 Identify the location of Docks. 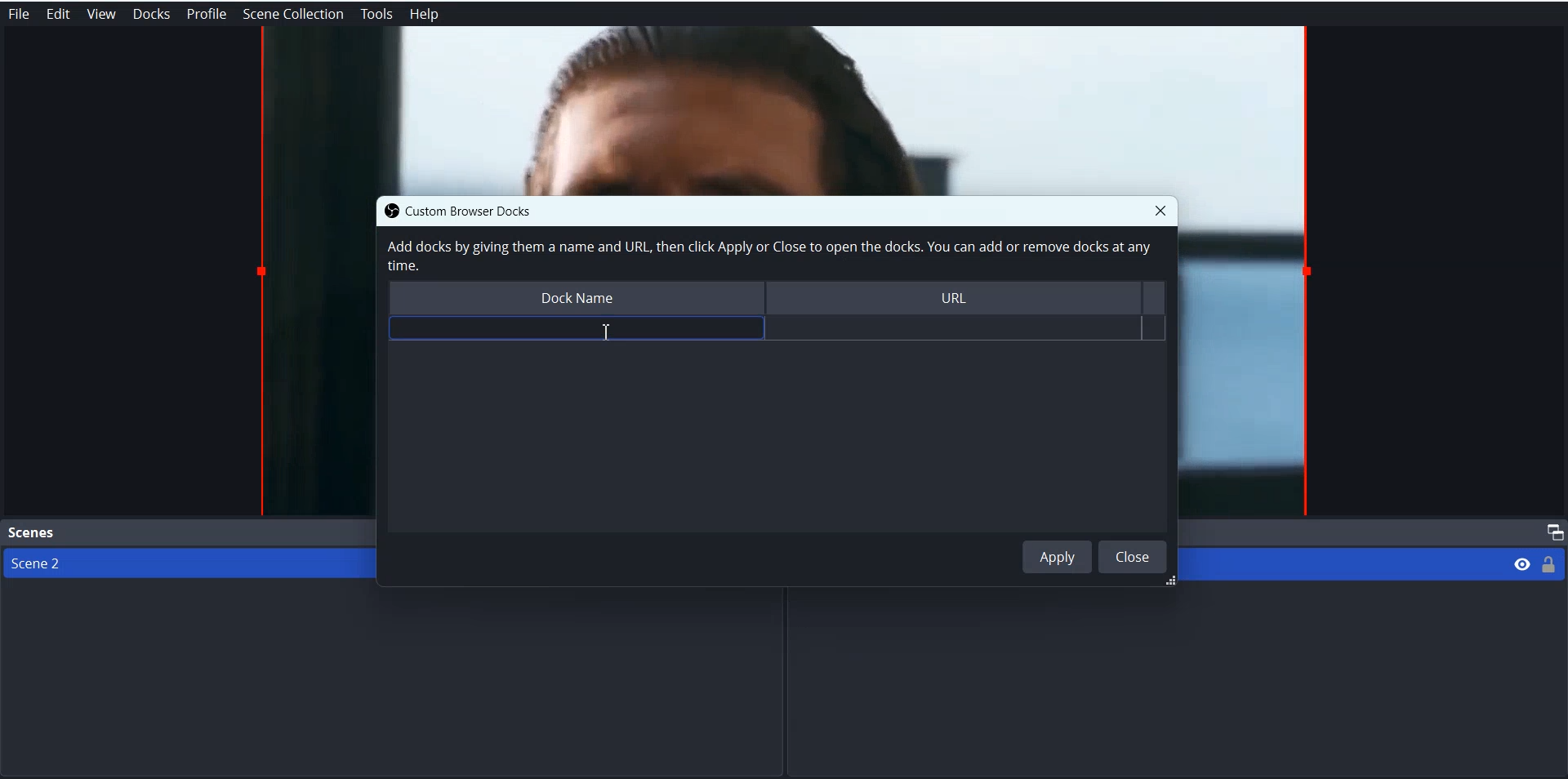
(151, 14).